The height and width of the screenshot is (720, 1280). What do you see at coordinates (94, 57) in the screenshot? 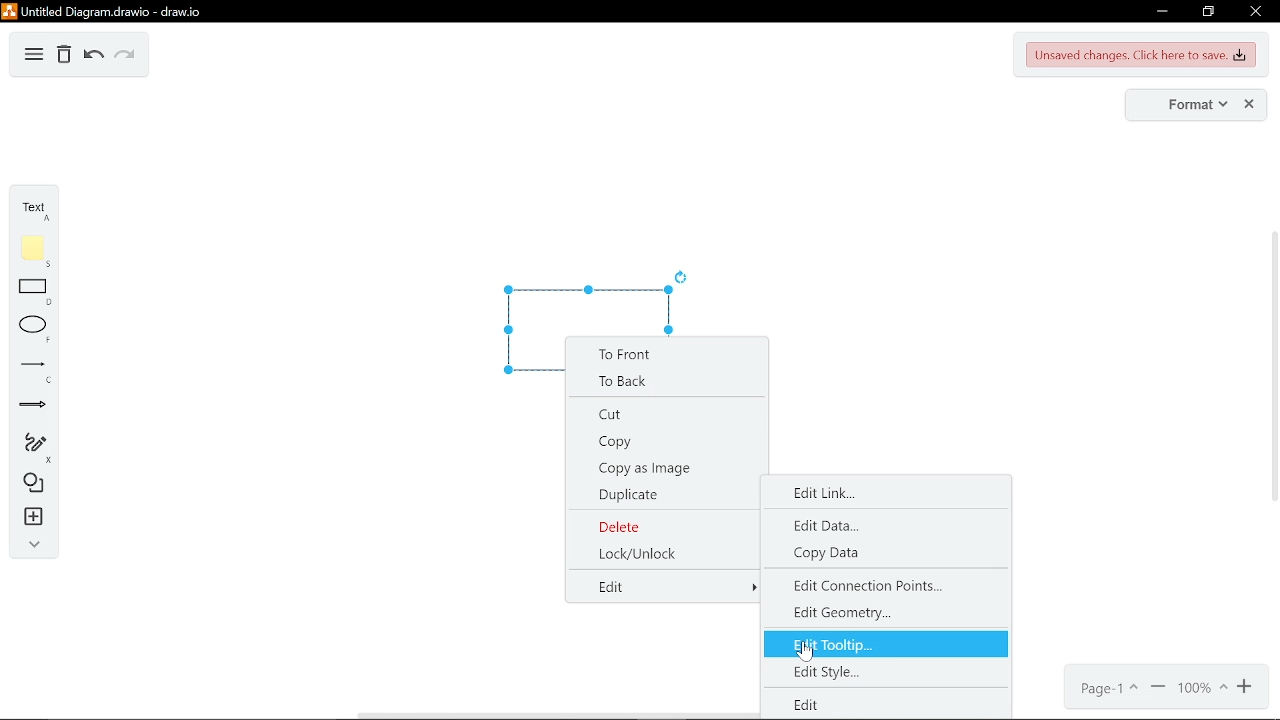
I see `undo` at bounding box center [94, 57].